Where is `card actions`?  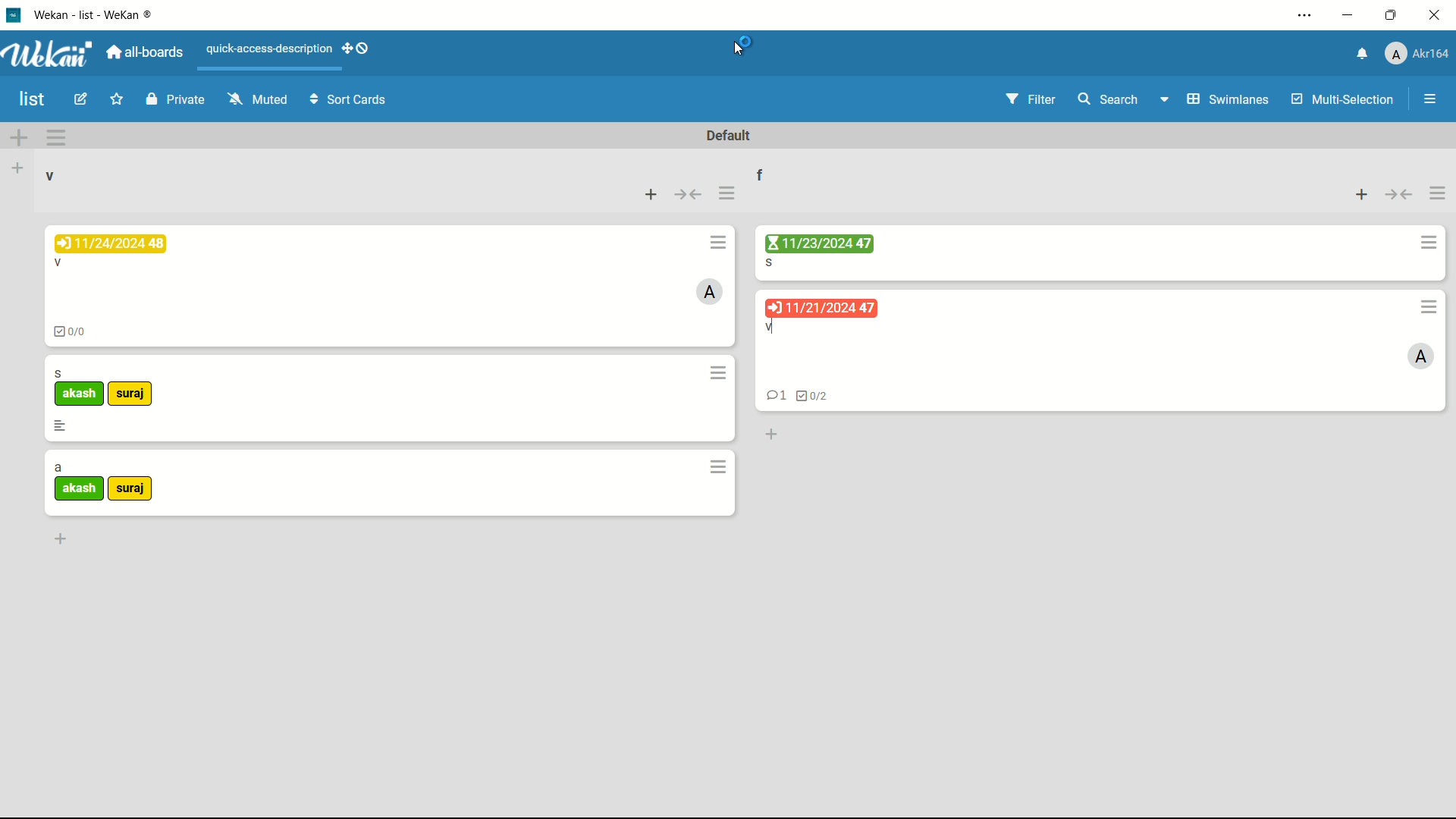 card actions is located at coordinates (715, 243).